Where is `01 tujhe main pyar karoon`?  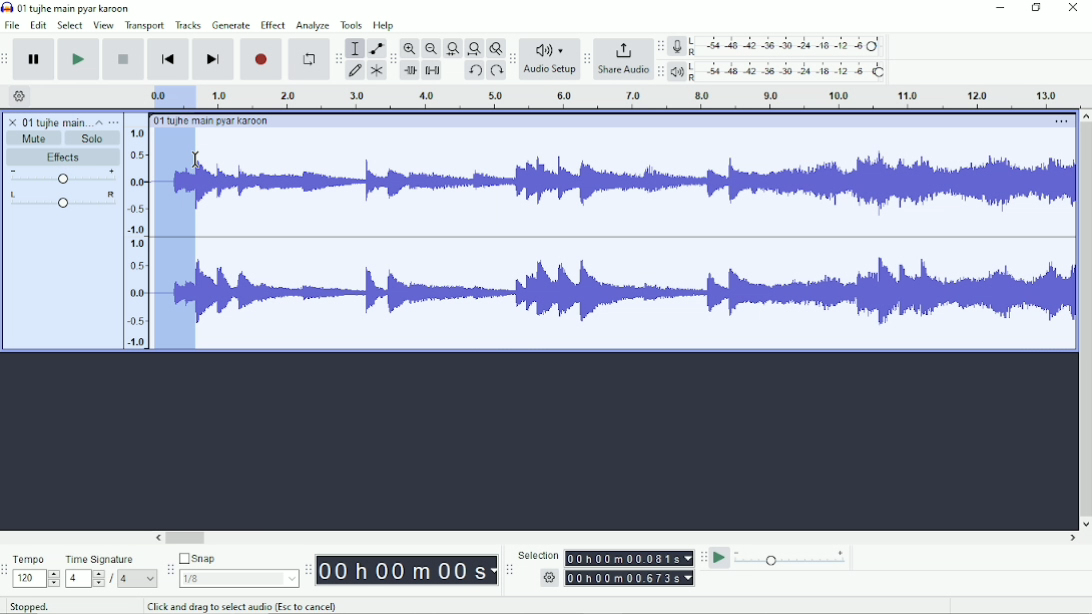
01 tujhe main pyar karoon is located at coordinates (78, 8).